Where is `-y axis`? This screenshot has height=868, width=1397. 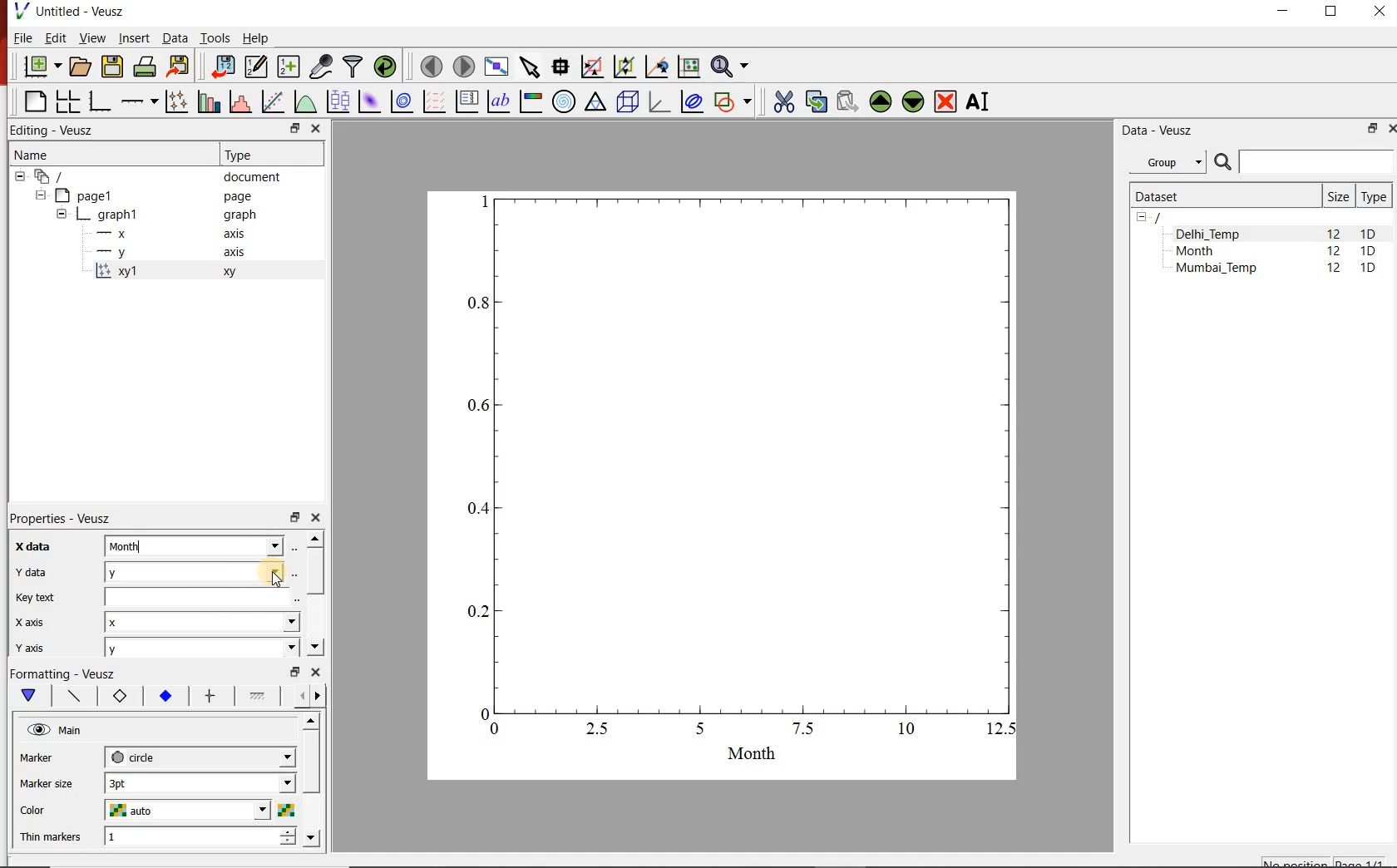 -y axis is located at coordinates (164, 254).